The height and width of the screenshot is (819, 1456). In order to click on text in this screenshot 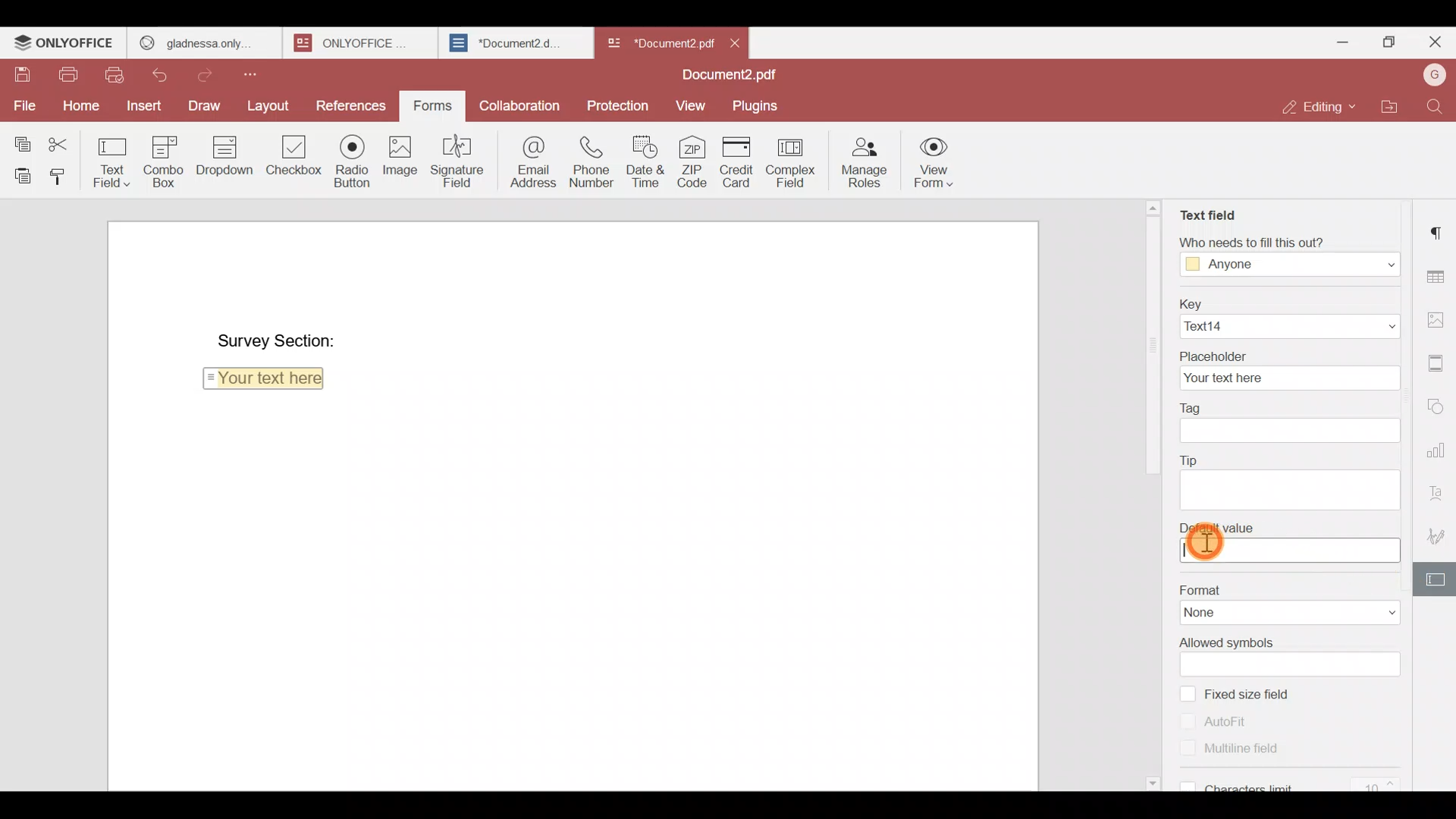, I will do `click(1293, 488)`.